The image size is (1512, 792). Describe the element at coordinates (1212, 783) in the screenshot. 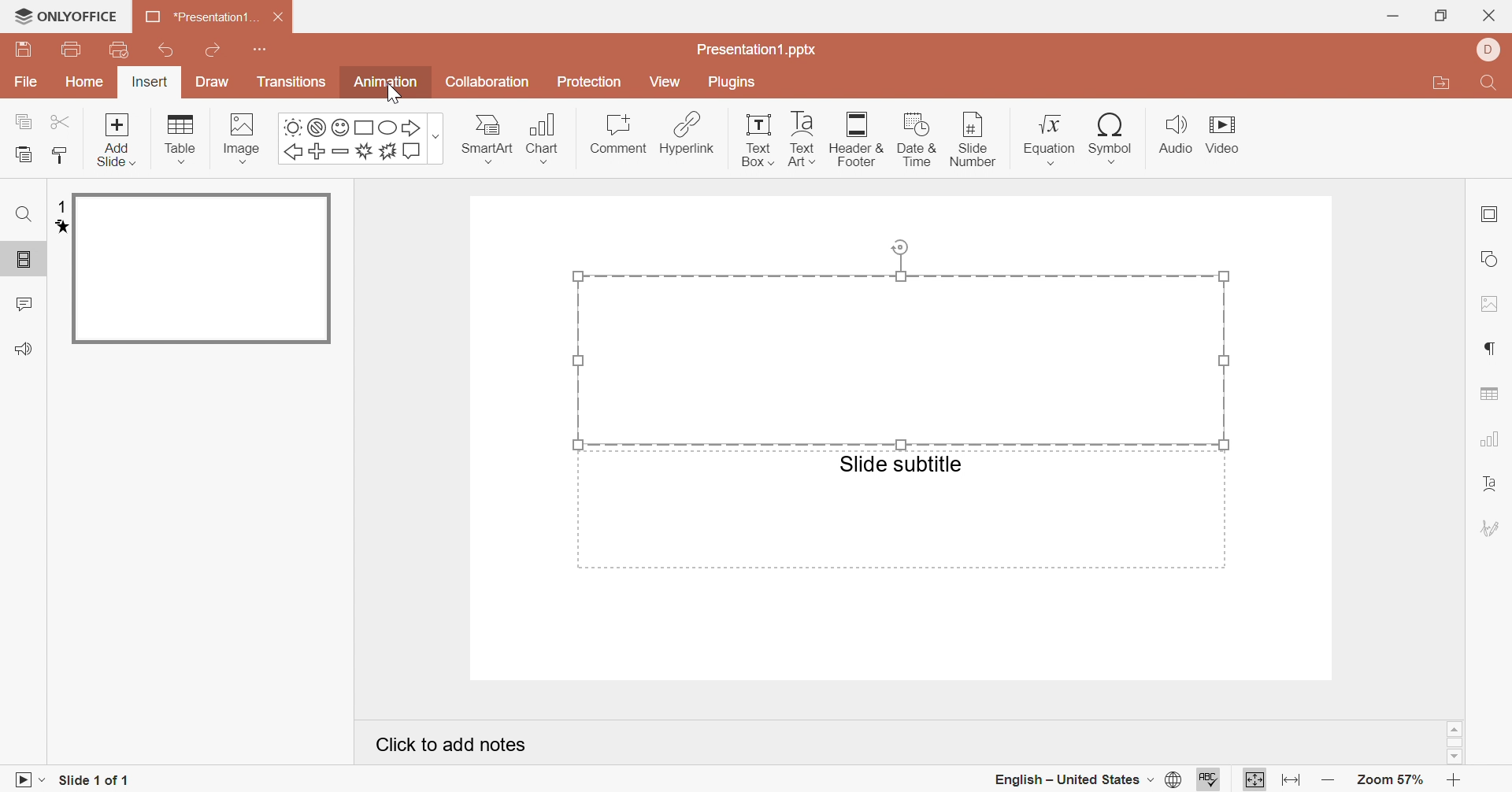

I see `spell checking` at that location.